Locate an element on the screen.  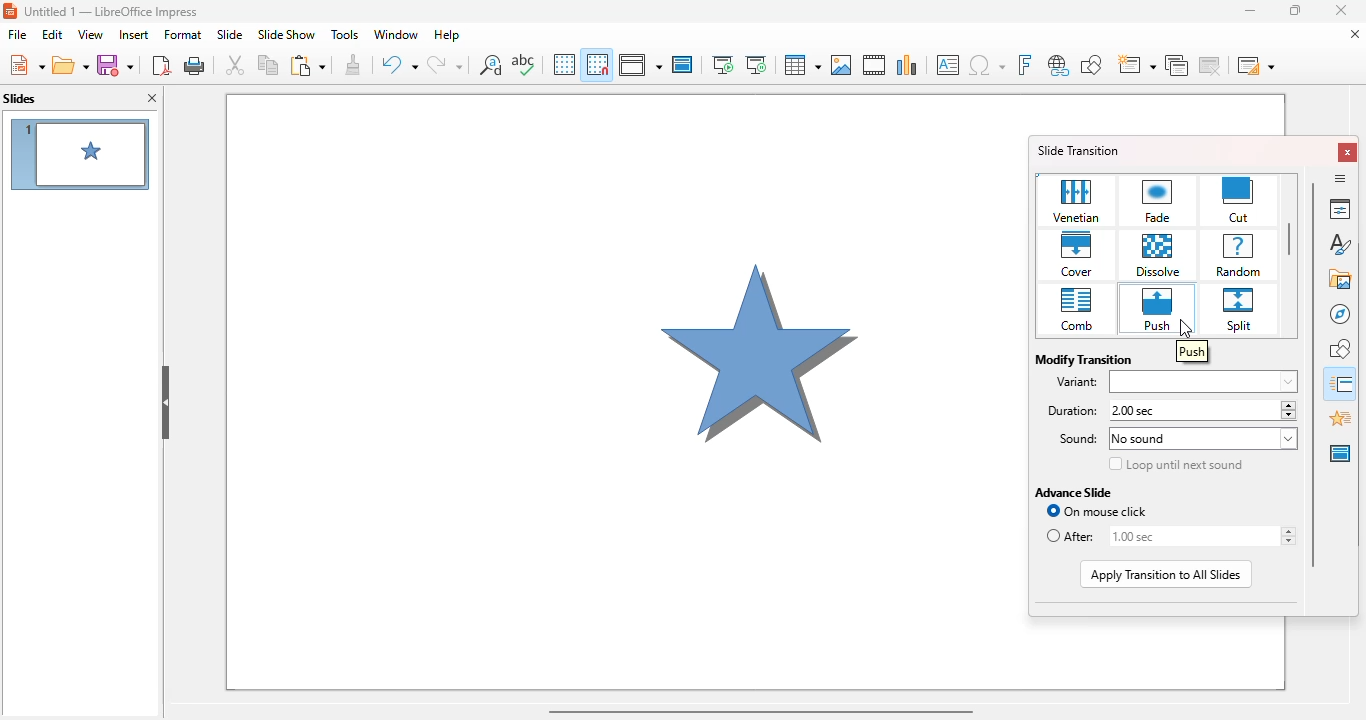
paste is located at coordinates (307, 65).